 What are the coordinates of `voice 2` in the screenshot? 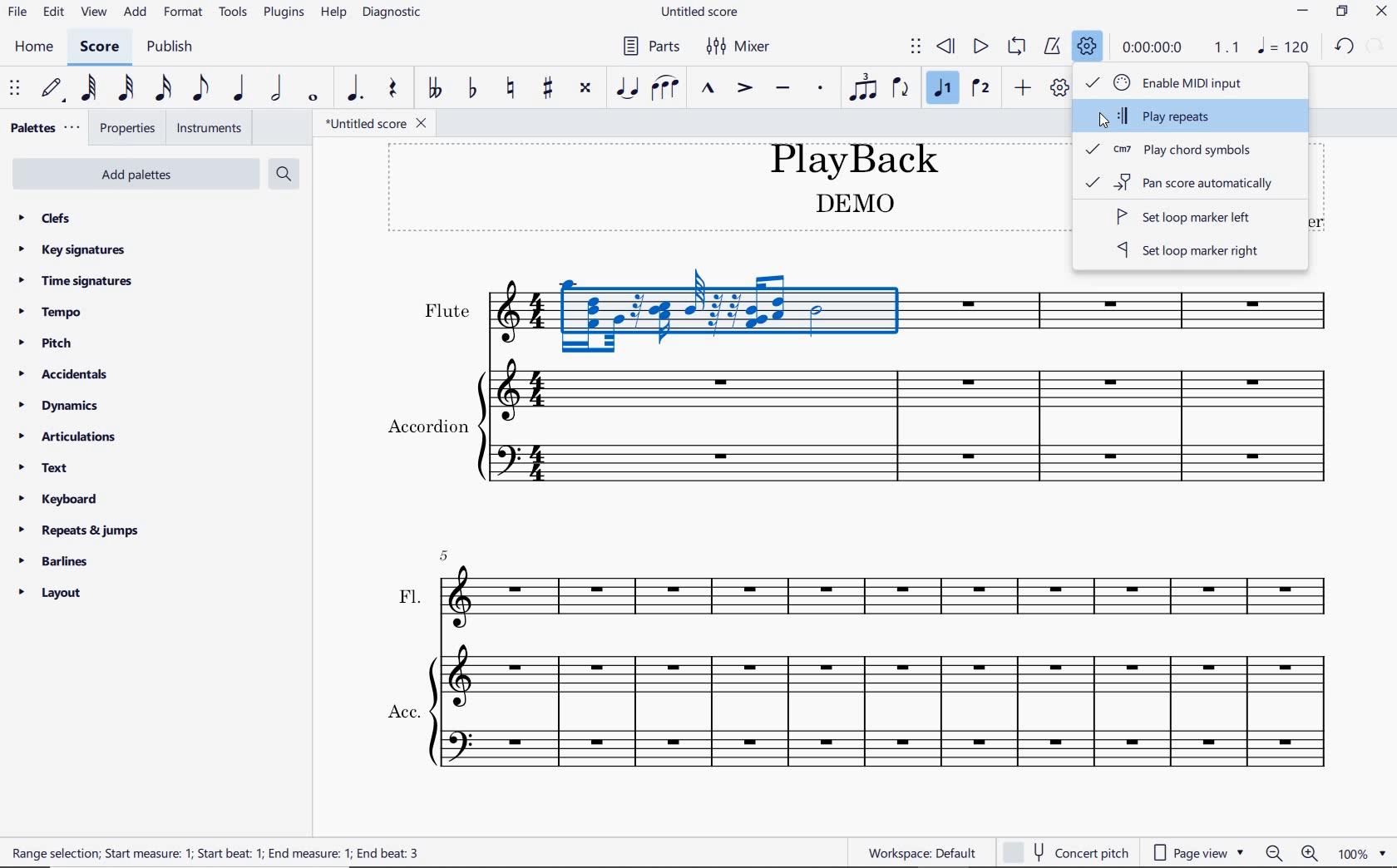 It's located at (980, 88).